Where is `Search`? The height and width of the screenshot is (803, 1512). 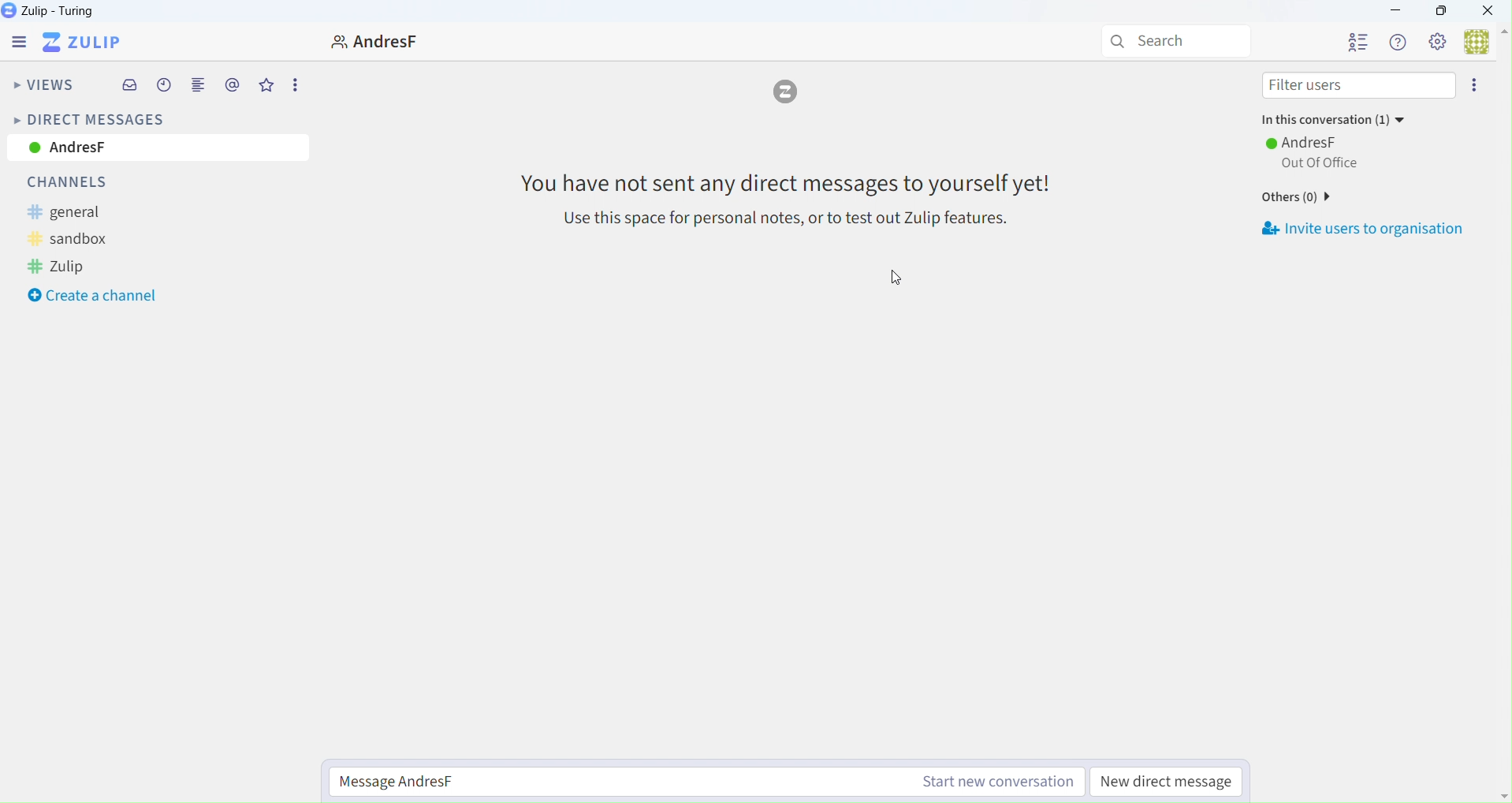 Search is located at coordinates (1171, 40).